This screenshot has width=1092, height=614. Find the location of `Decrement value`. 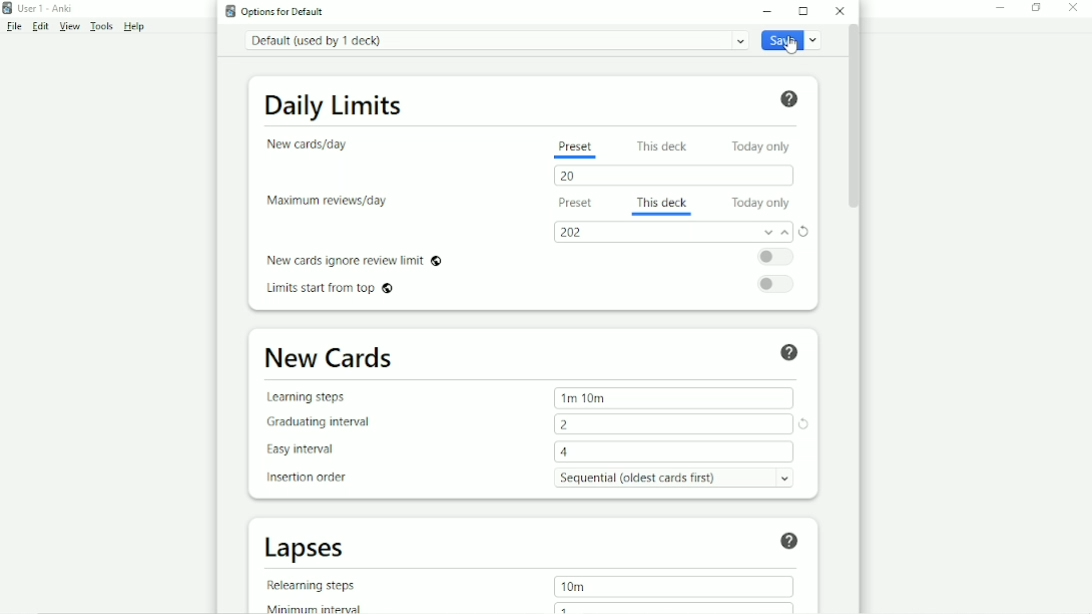

Decrement value is located at coordinates (767, 232).